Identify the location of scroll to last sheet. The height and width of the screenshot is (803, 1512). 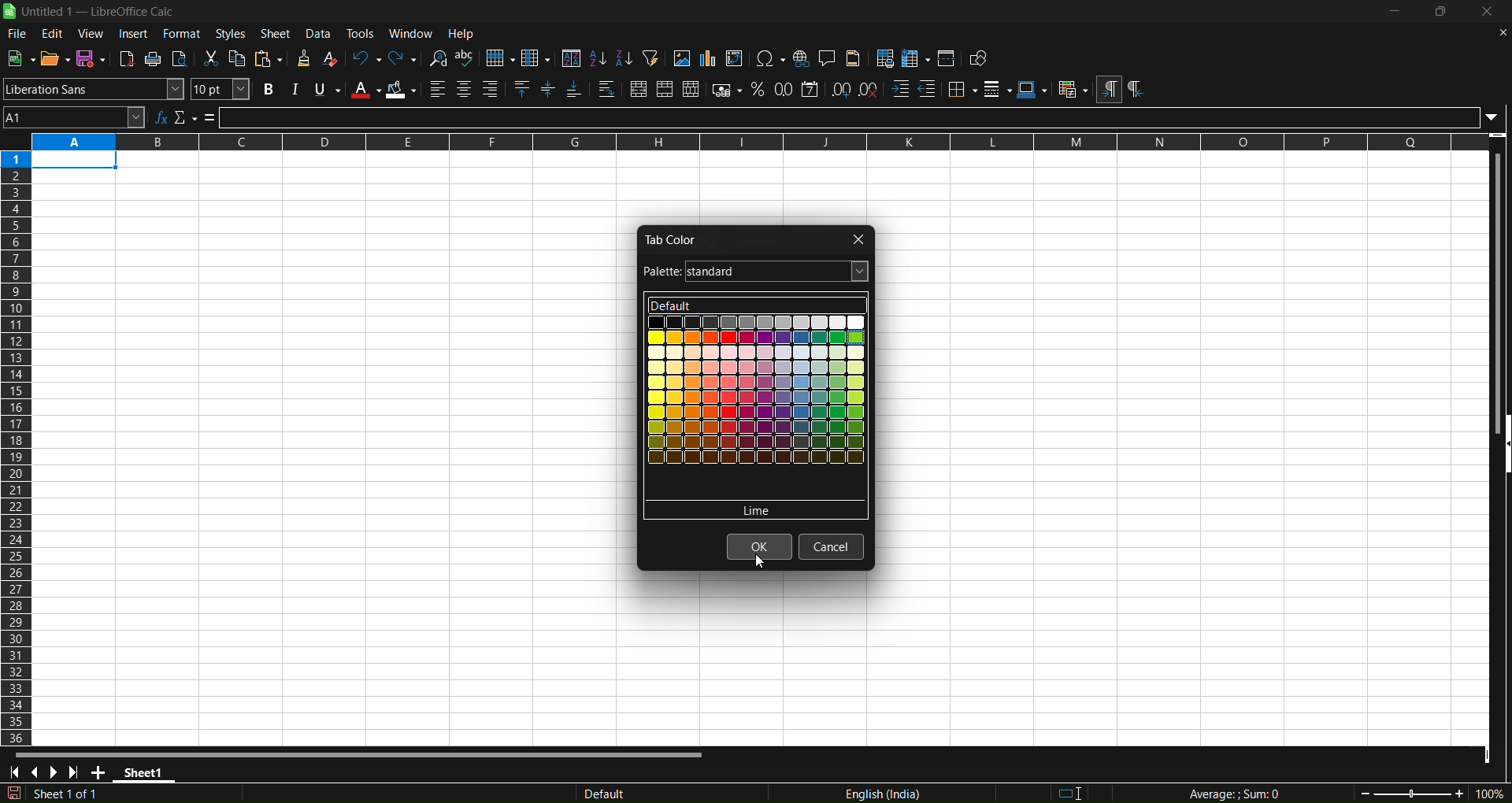
(77, 772).